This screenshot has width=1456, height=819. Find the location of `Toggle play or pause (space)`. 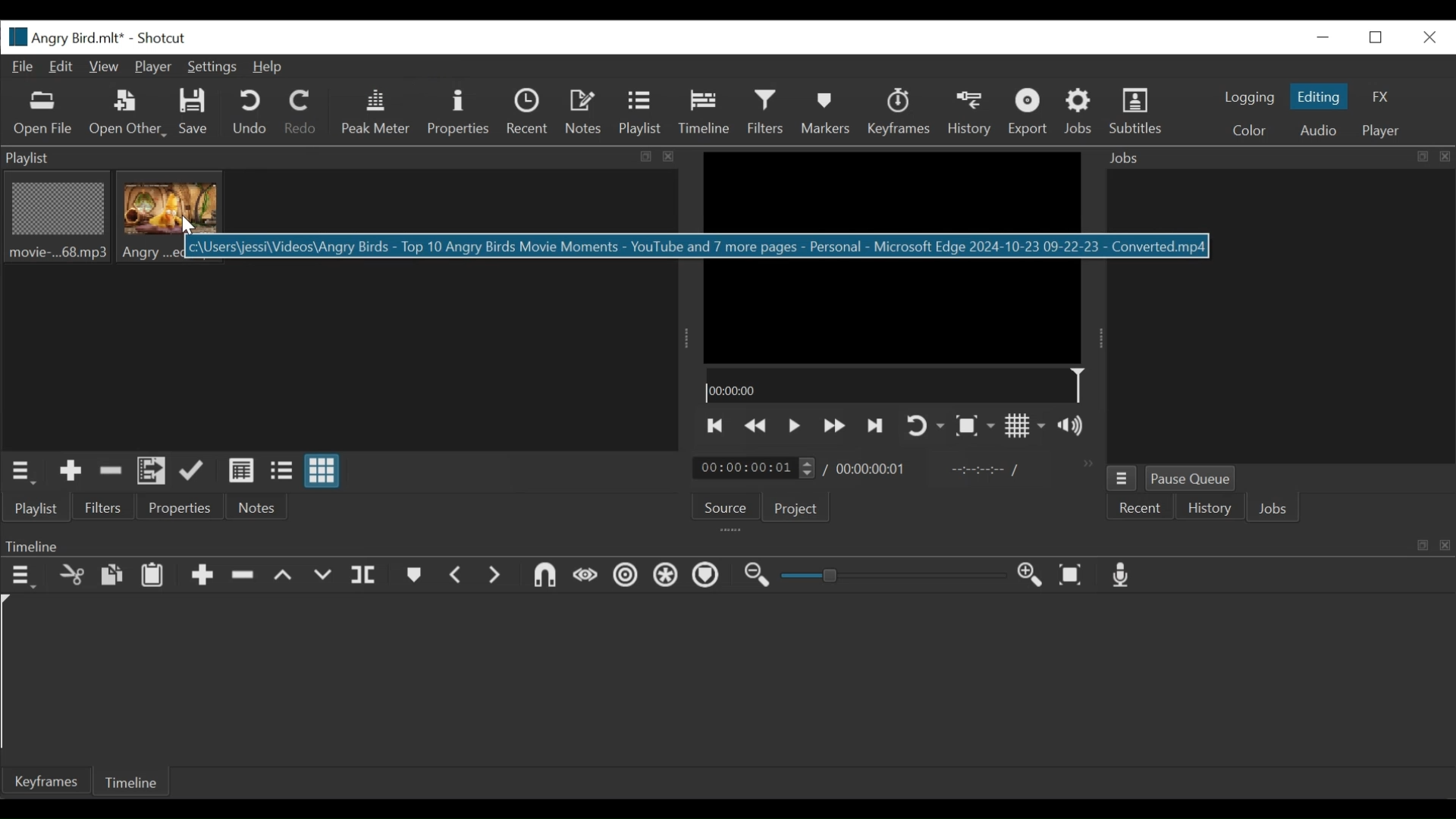

Toggle play or pause (space) is located at coordinates (794, 426).